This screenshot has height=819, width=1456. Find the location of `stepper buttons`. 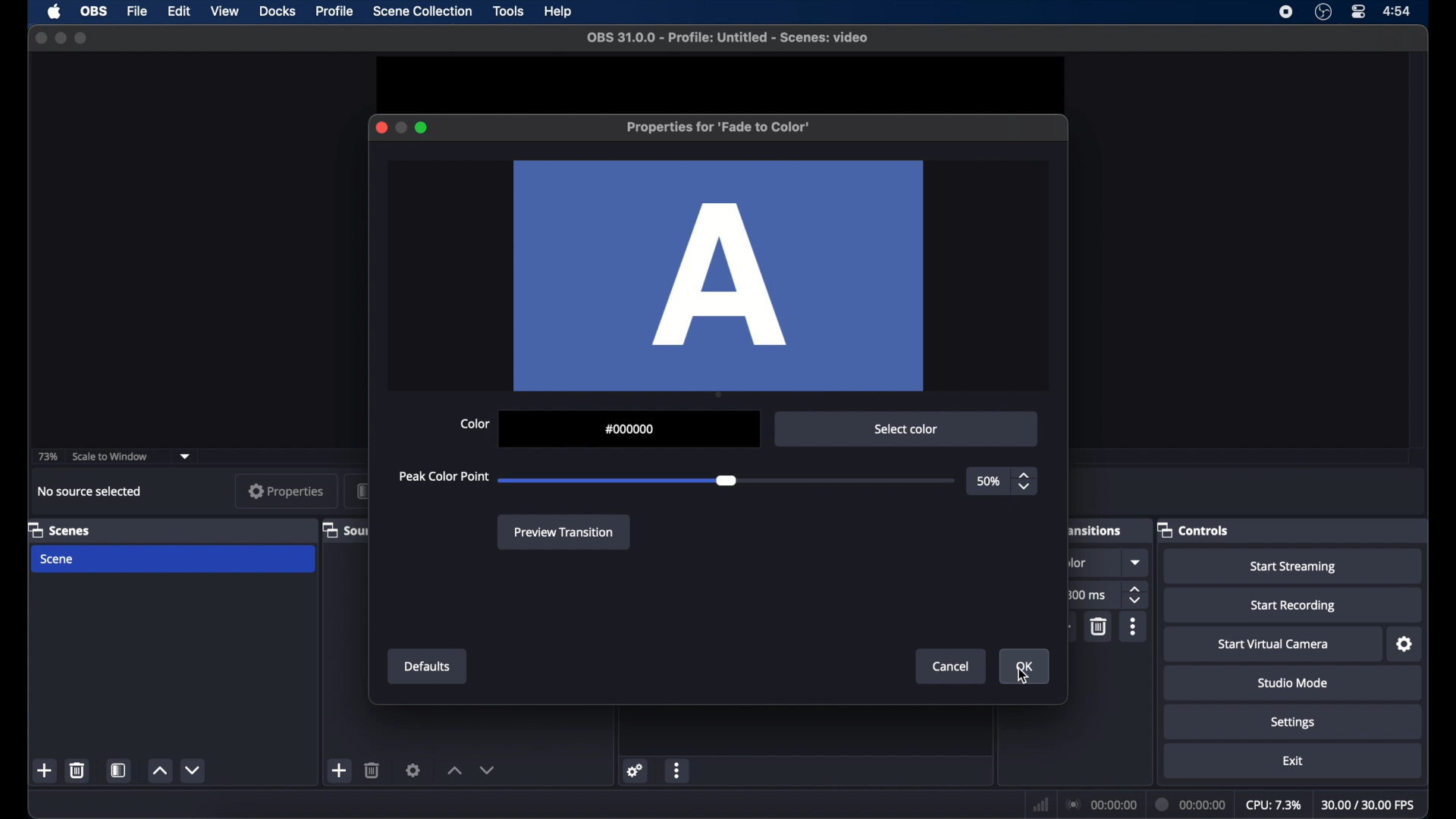

stepper buttons is located at coordinates (1024, 482).